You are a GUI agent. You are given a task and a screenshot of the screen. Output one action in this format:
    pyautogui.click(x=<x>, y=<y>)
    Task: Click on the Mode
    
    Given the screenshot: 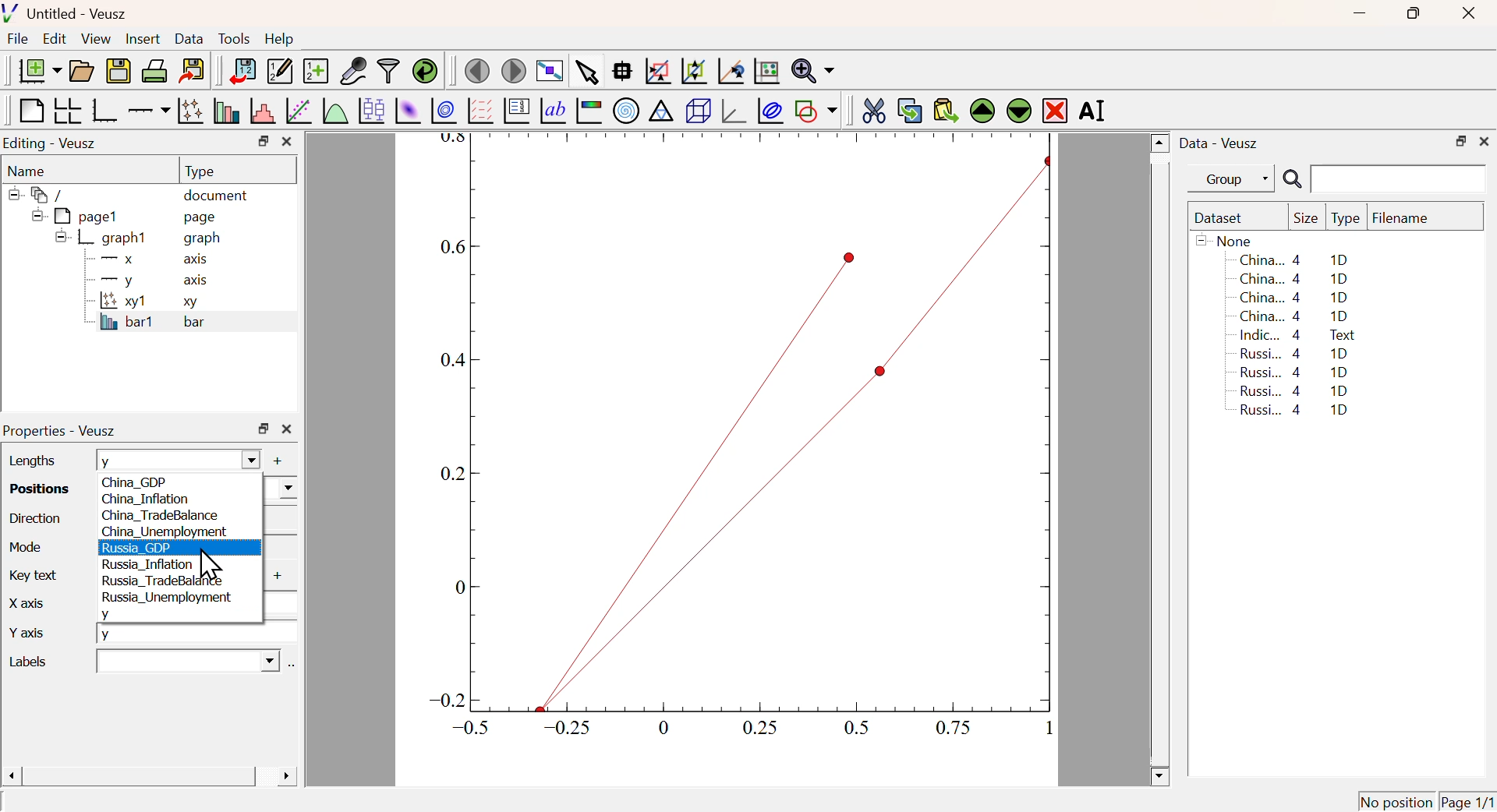 What is the action you would take?
    pyautogui.click(x=23, y=545)
    